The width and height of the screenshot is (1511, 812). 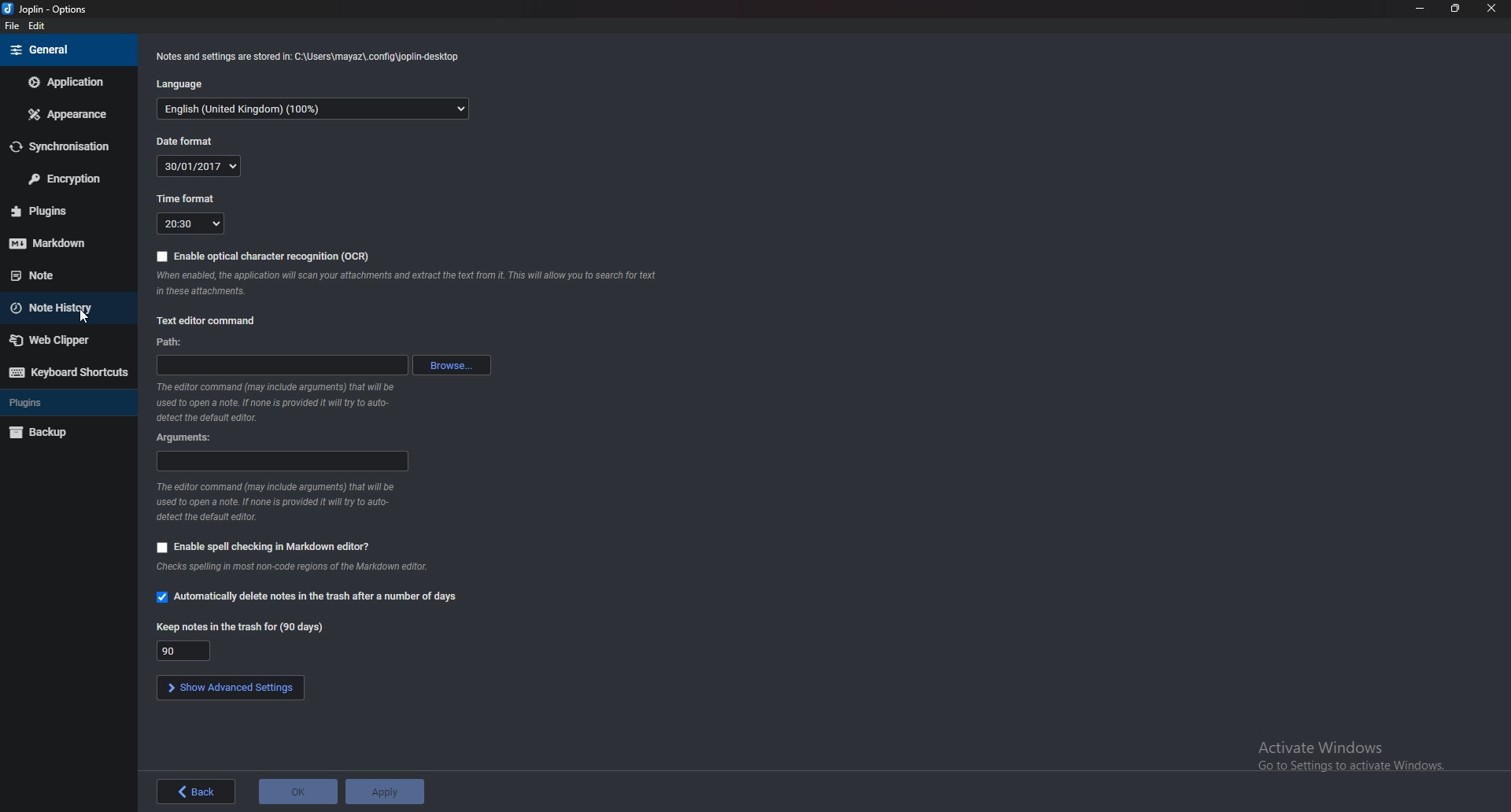 What do you see at coordinates (67, 341) in the screenshot?
I see `Web Clipper` at bounding box center [67, 341].